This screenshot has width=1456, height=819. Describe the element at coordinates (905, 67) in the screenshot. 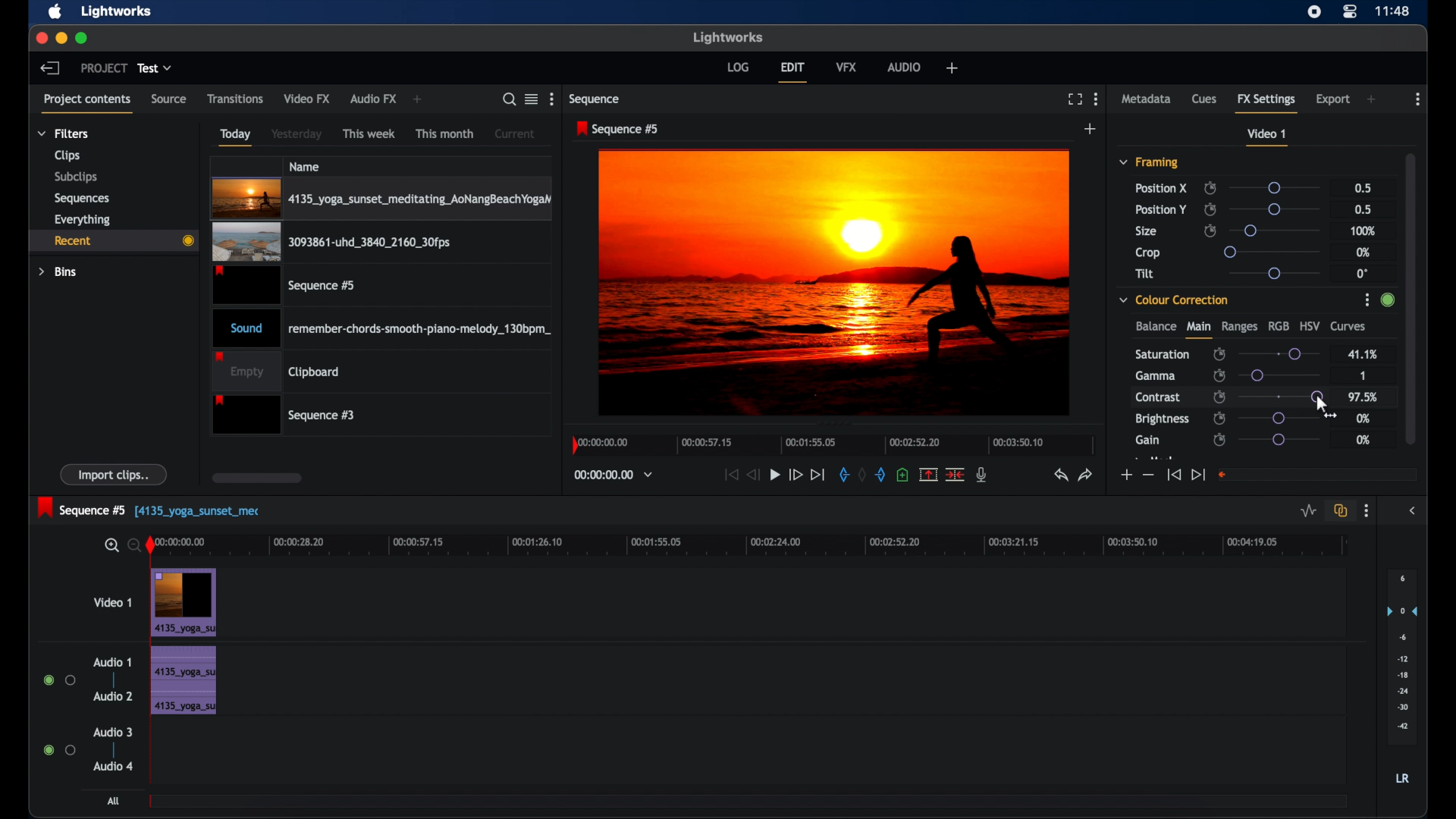

I see `audio` at that location.